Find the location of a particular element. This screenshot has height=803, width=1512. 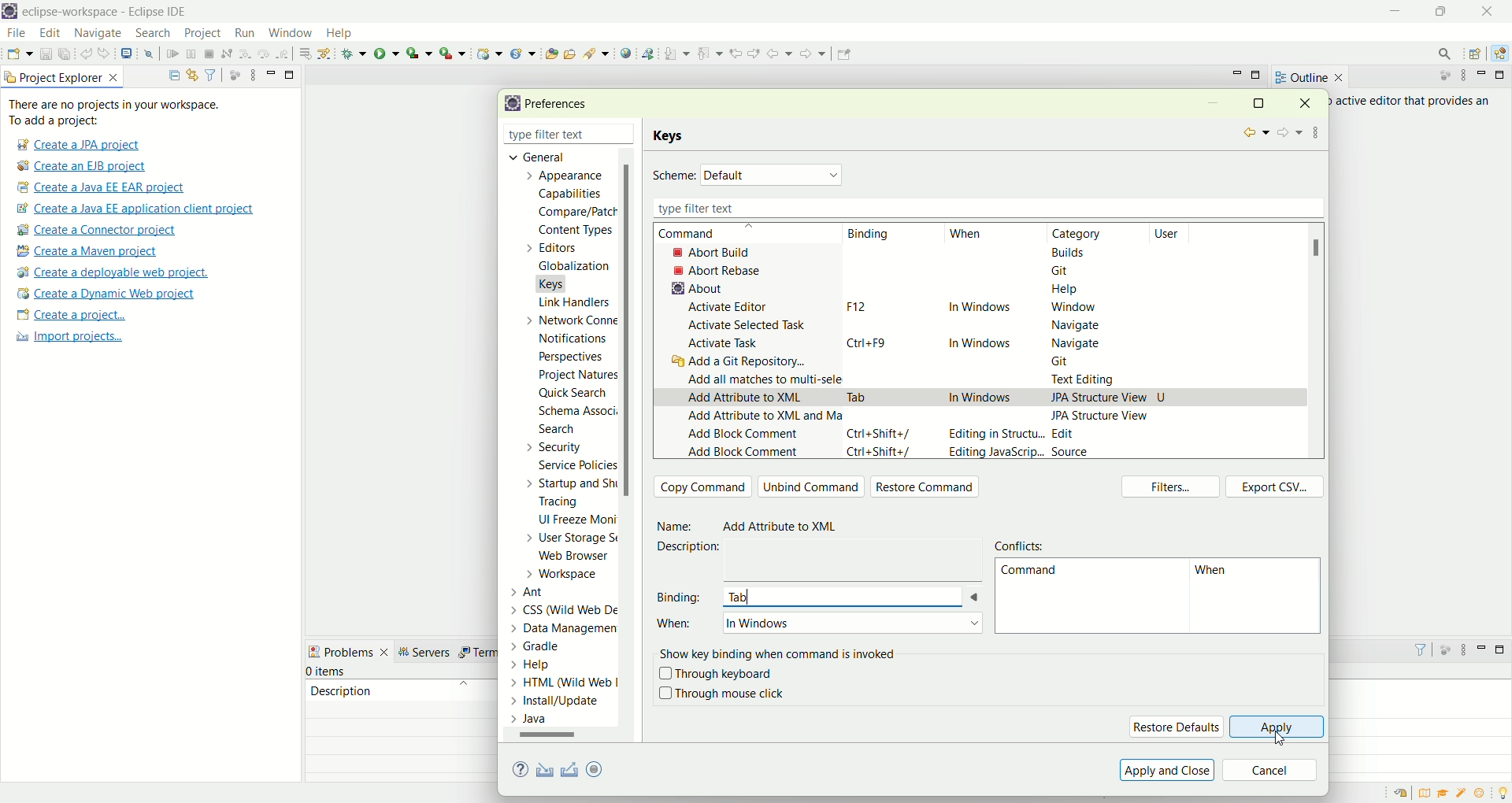

create a new Java servlet is located at coordinates (527, 54).